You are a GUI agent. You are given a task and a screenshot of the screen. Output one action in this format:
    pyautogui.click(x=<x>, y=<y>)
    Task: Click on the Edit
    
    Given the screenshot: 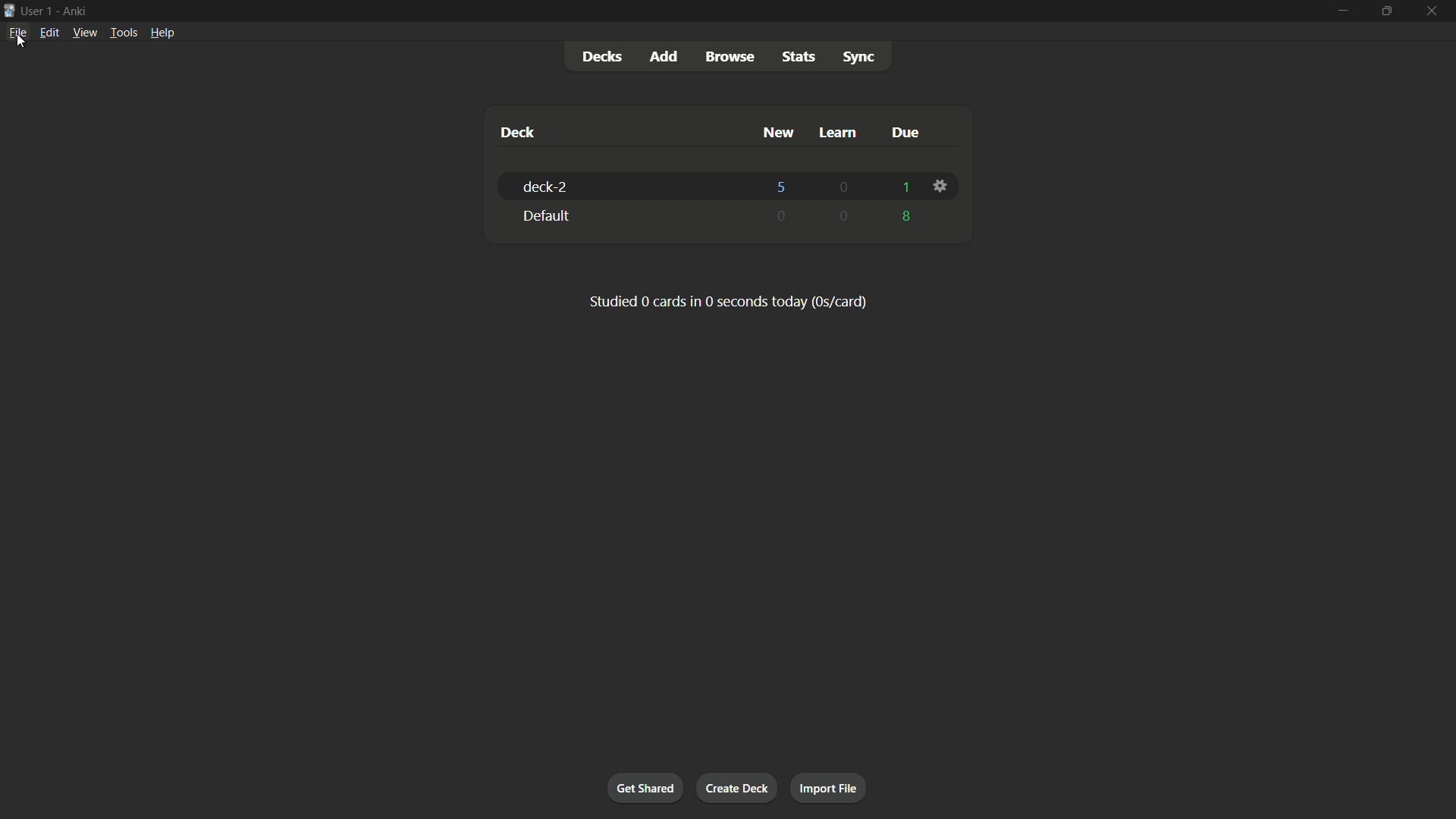 What is the action you would take?
    pyautogui.click(x=49, y=32)
    